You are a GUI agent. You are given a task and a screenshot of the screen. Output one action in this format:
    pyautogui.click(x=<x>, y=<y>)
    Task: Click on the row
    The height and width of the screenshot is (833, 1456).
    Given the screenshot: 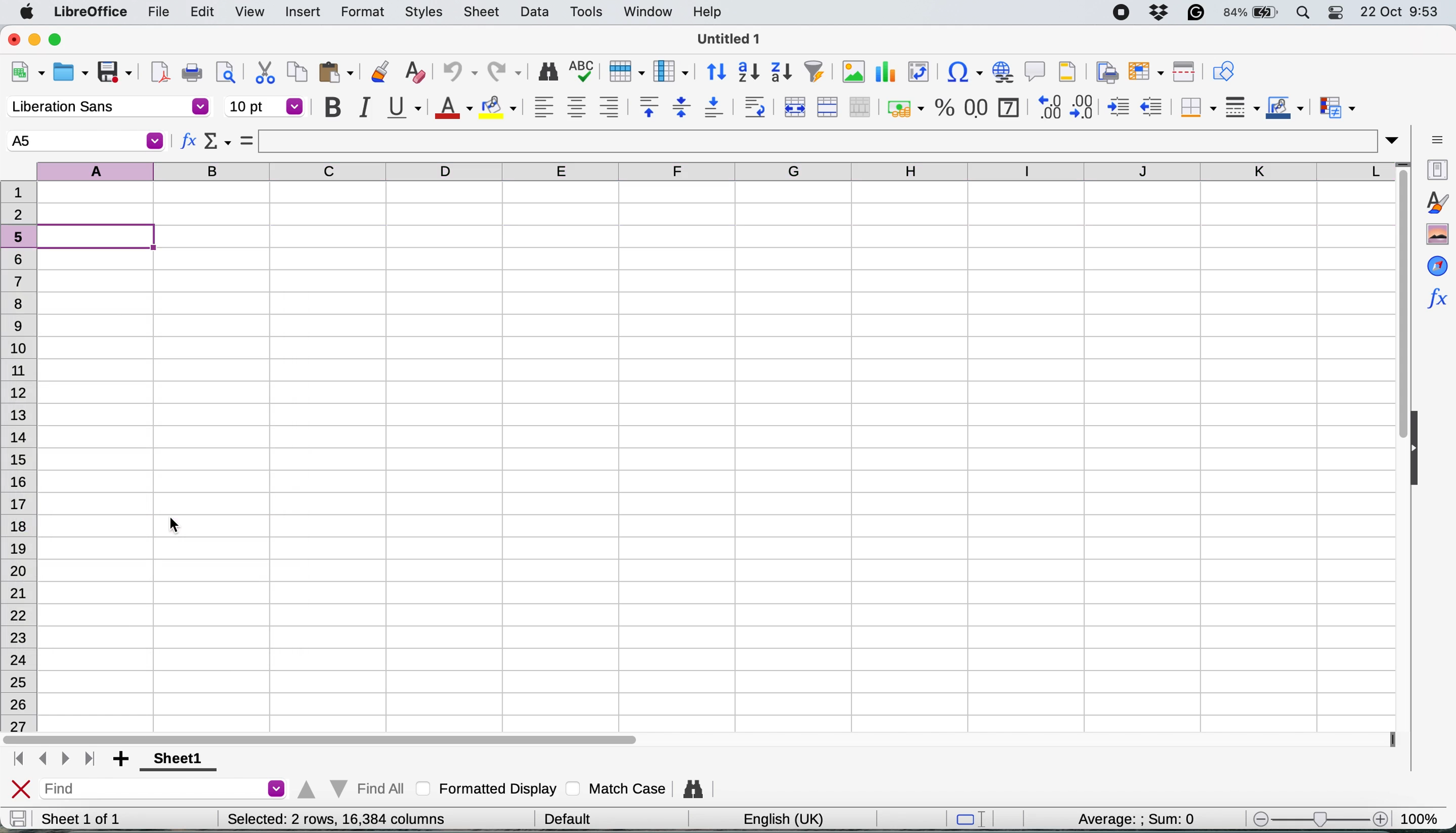 What is the action you would take?
    pyautogui.click(x=624, y=70)
    